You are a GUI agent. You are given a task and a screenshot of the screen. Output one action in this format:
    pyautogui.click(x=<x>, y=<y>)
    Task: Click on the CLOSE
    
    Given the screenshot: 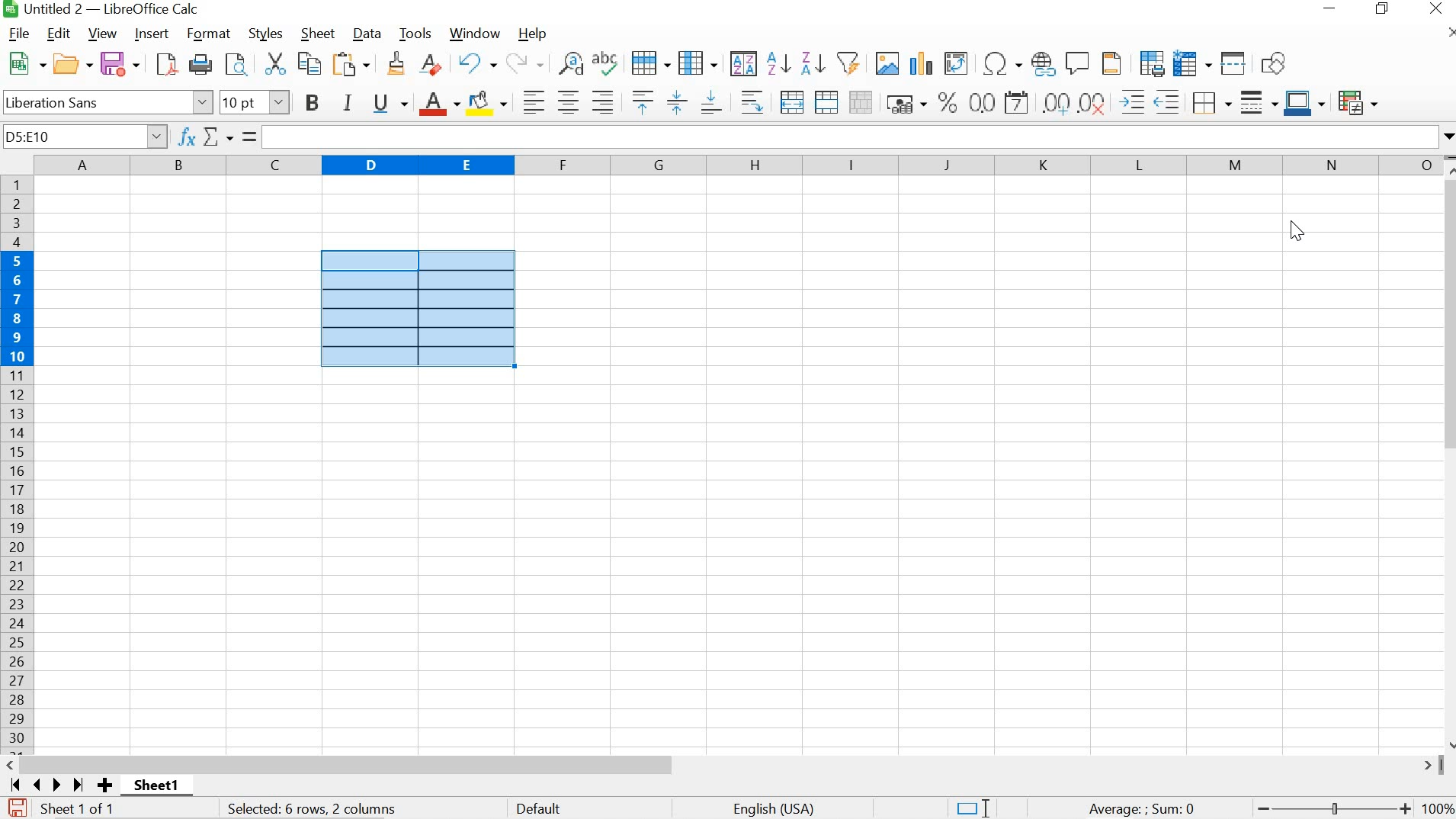 What is the action you would take?
    pyautogui.click(x=1435, y=8)
    